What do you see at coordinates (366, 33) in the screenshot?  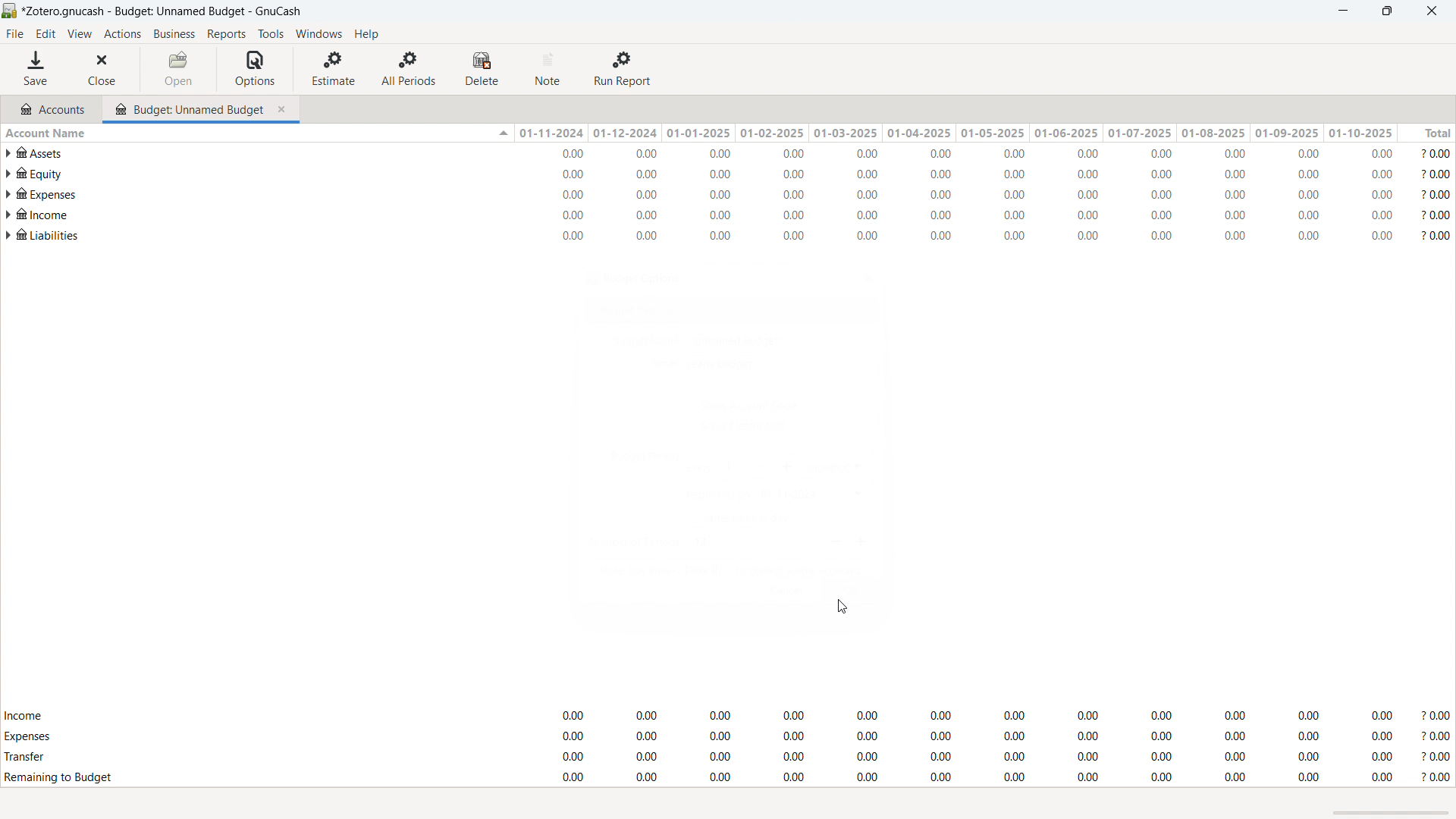 I see `help` at bounding box center [366, 33].